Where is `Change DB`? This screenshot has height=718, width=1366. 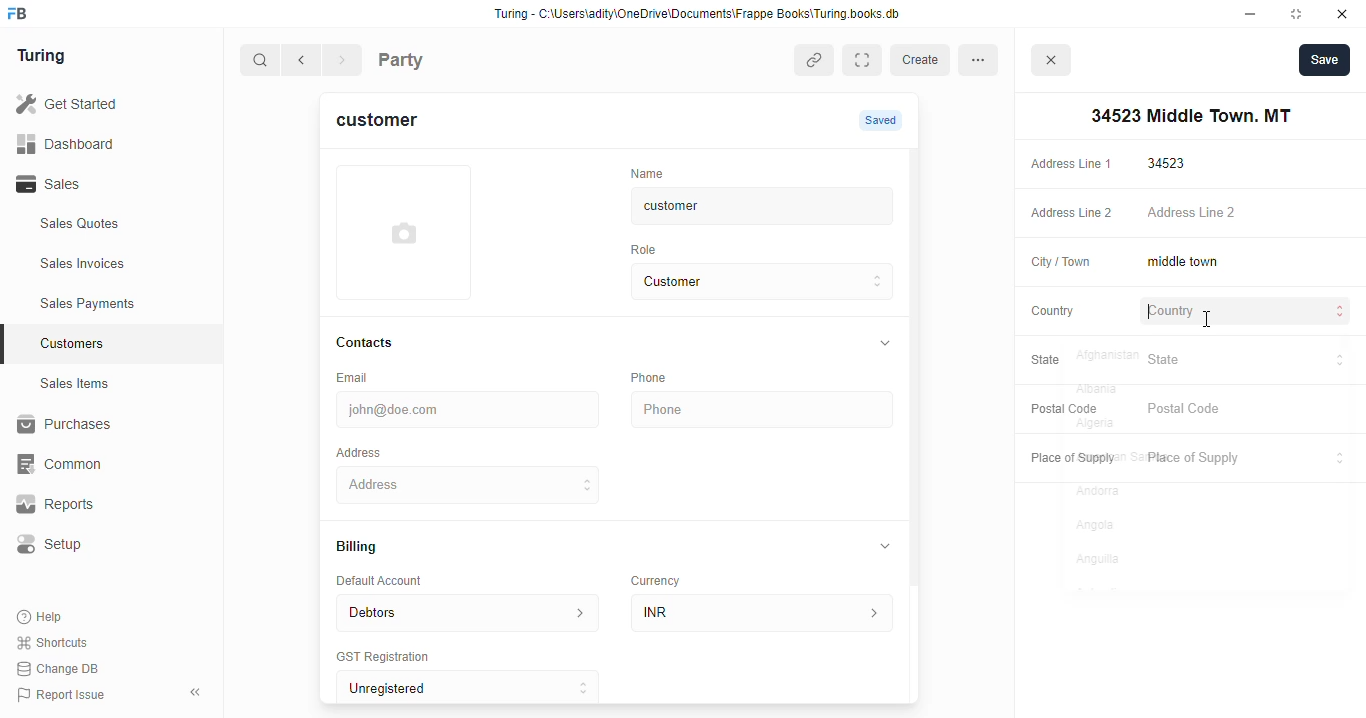
Change DB is located at coordinates (62, 668).